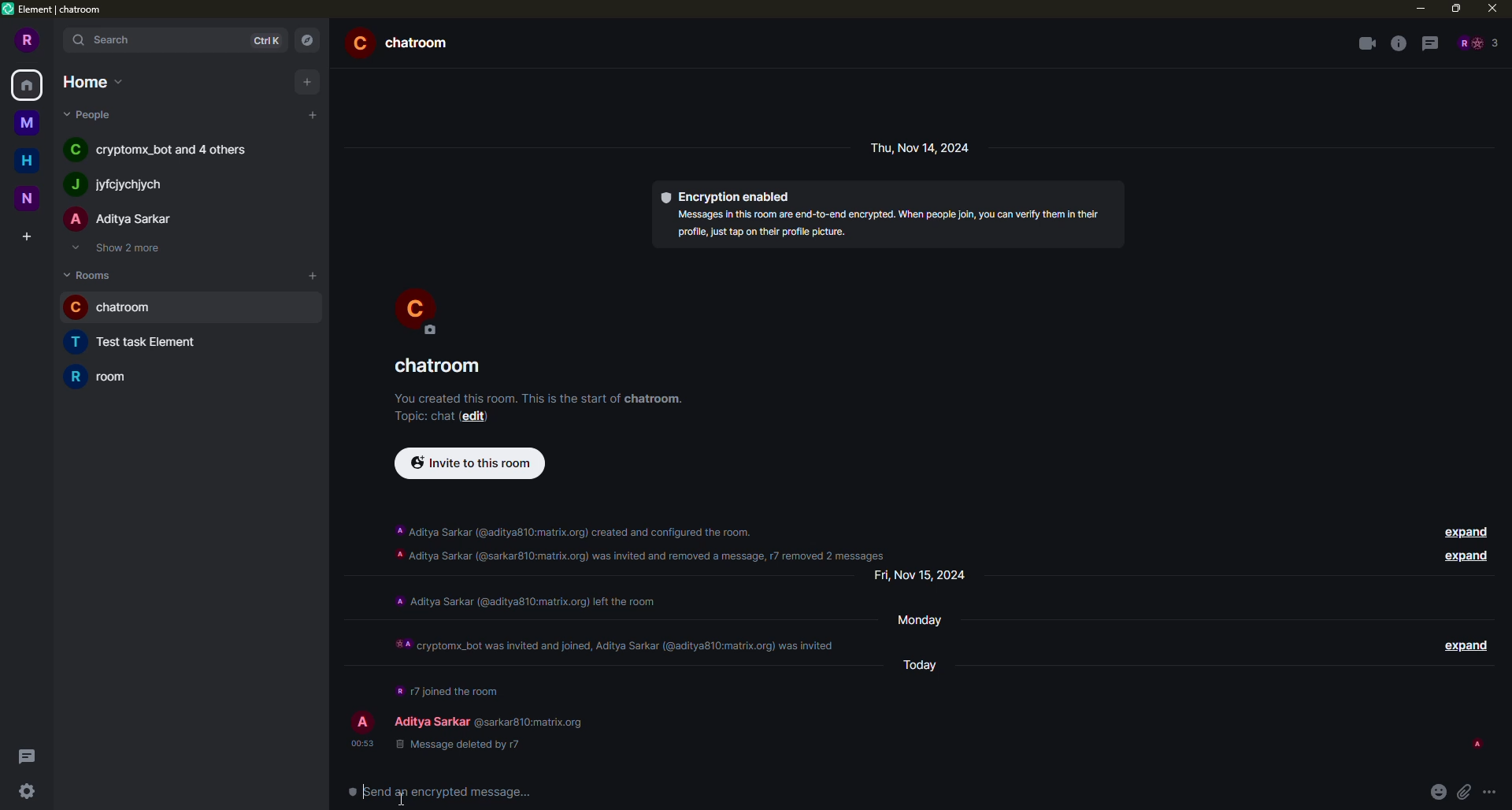 Image resolution: width=1512 pixels, height=810 pixels. What do you see at coordinates (1366, 43) in the screenshot?
I see `video call` at bounding box center [1366, 43].